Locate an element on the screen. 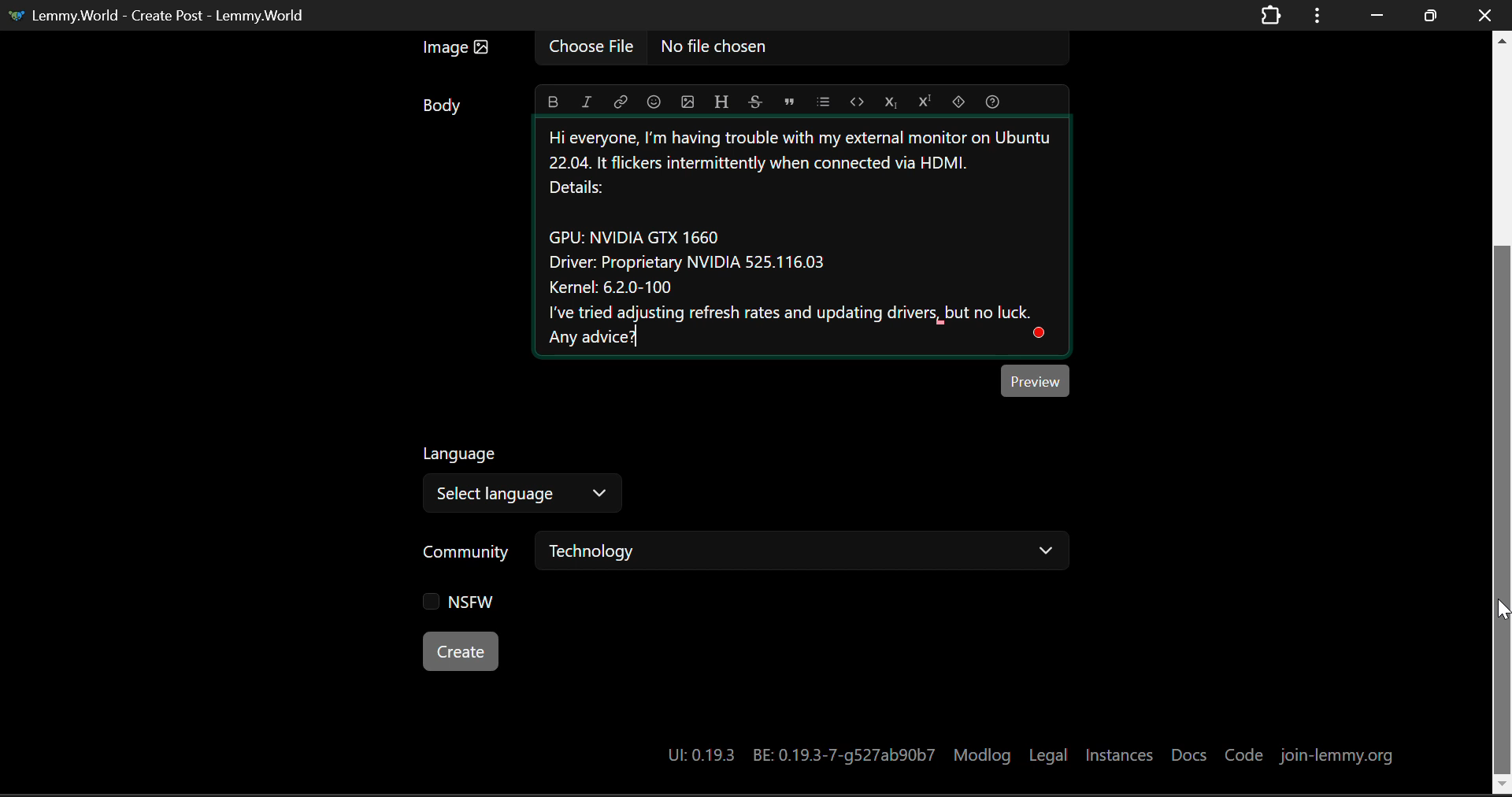  Link is located at coordinates (620, 101).